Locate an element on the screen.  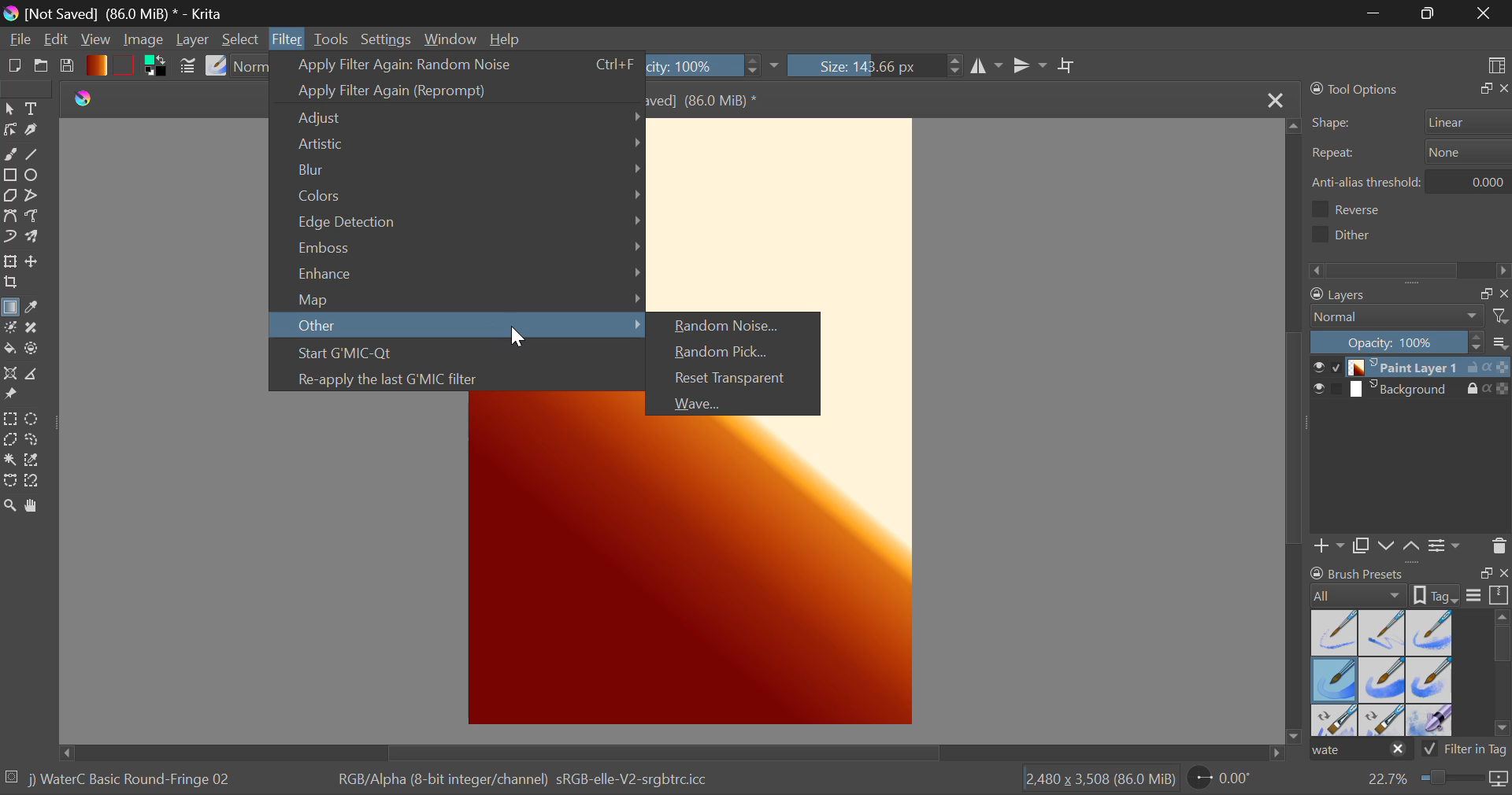
Cursor on Other is located at coordinates (460, 327).